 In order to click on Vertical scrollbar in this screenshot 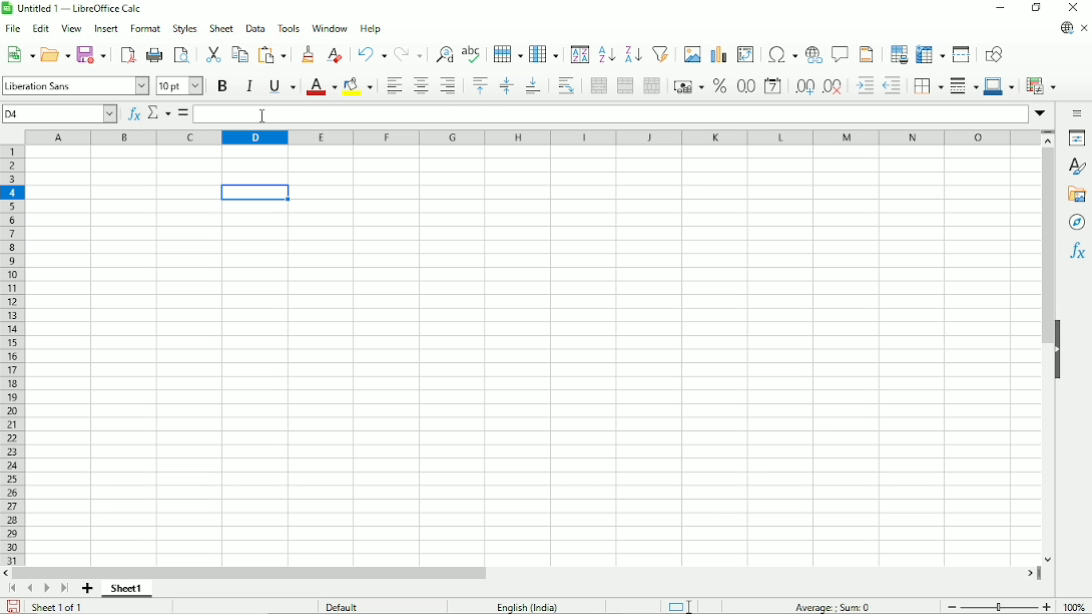, I will do `click(1047, 246)`.